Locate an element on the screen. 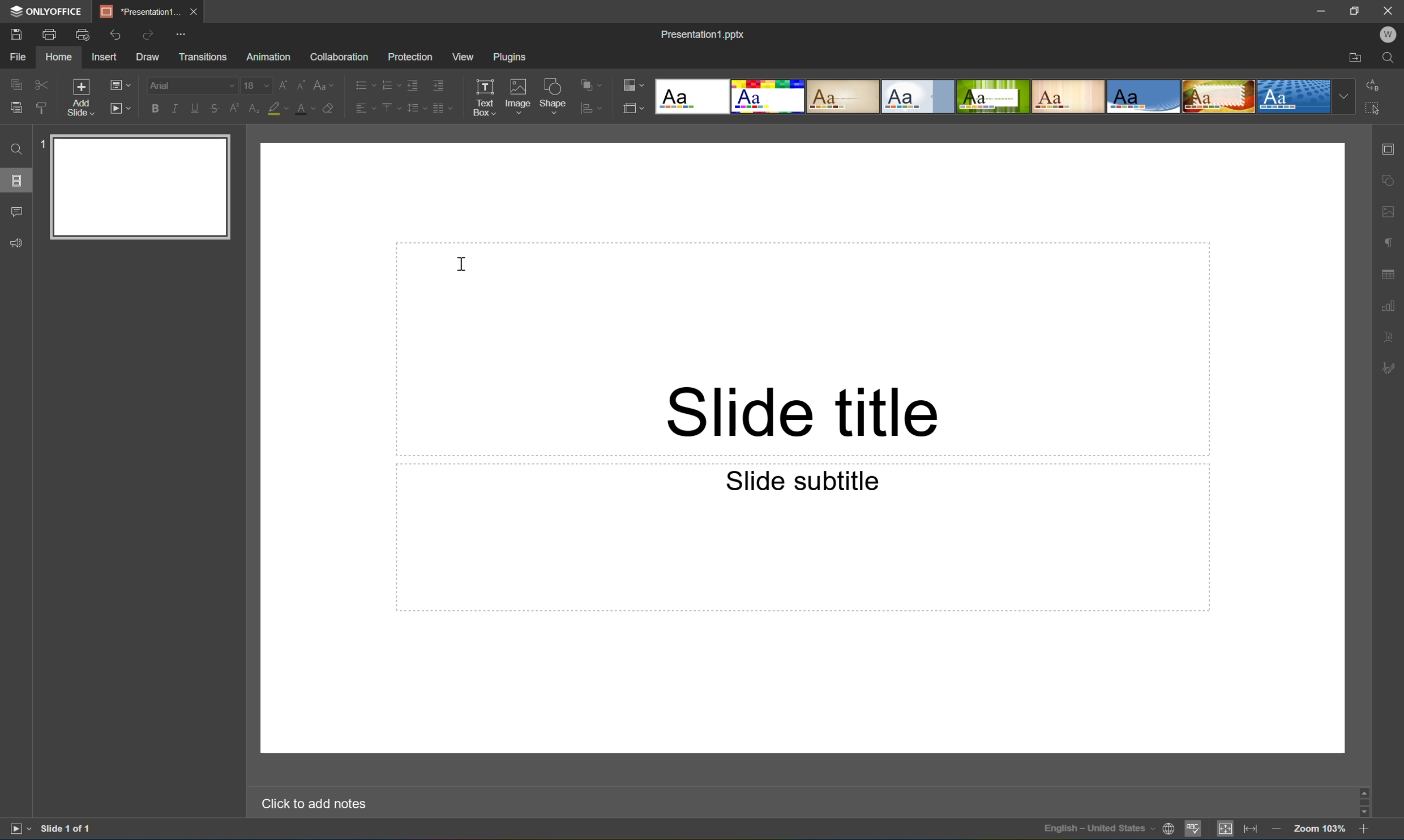 This screenshot has width=1404, height=840. Zoom in is located at coordinates (1364, 832).